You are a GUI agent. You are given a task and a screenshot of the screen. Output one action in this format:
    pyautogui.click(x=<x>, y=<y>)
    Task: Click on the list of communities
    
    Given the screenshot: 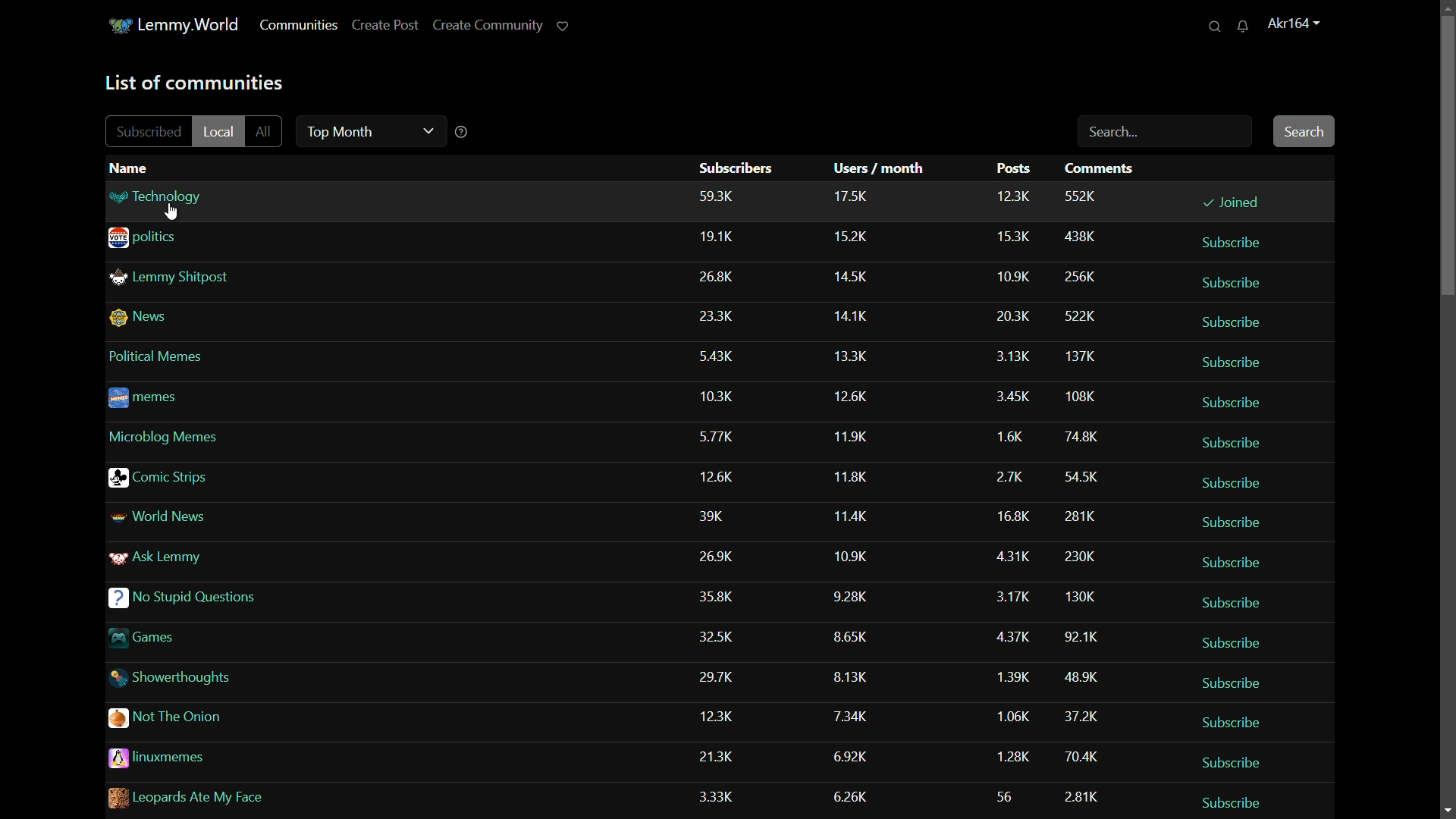 What is the action you would take?
    pyautogui.click(x=193, y=83)
    